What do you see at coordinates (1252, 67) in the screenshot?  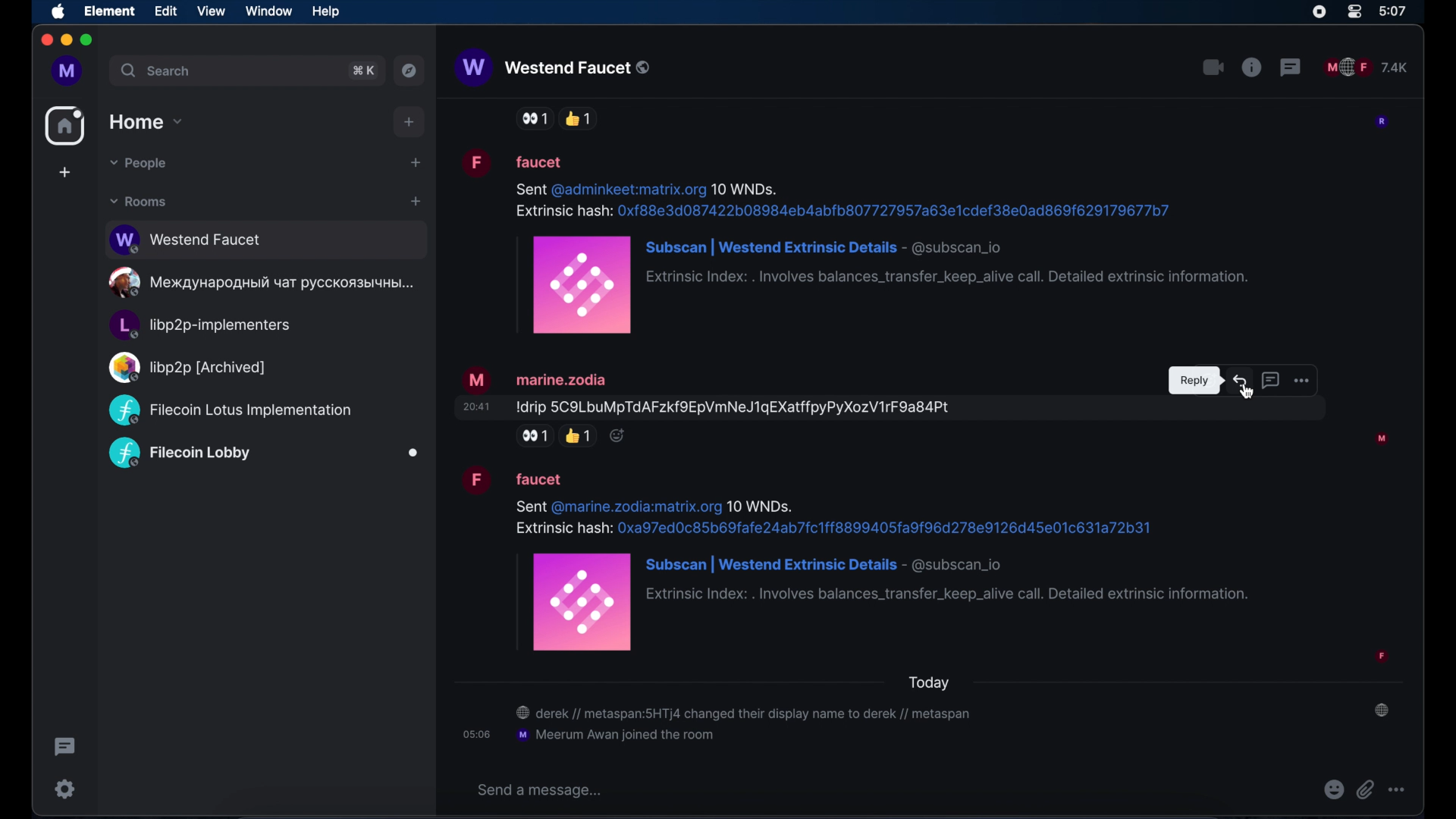 I see `public room properties` at bounding box center [1252, 67].